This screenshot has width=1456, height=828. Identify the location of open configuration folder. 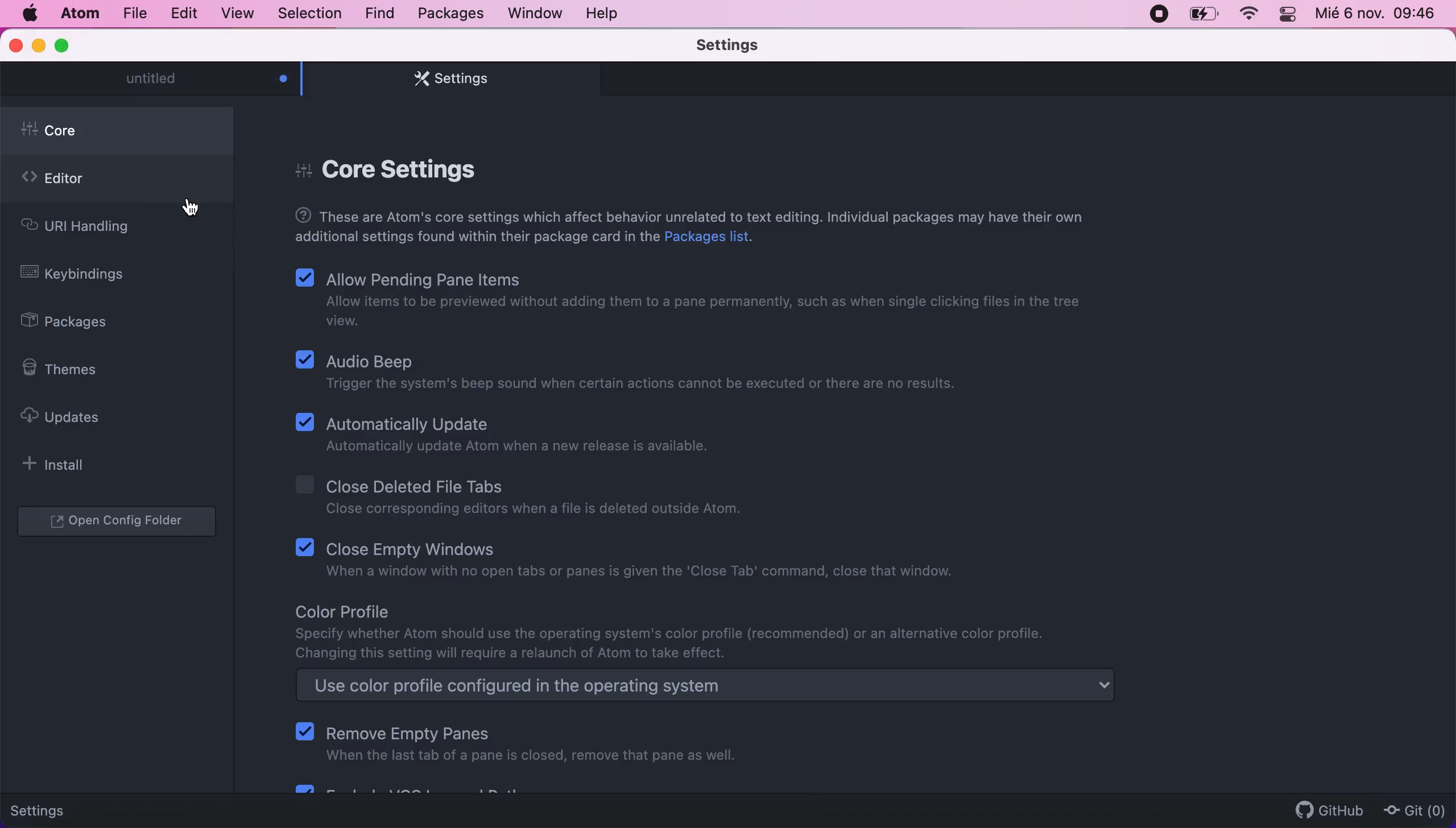
(119, 525).